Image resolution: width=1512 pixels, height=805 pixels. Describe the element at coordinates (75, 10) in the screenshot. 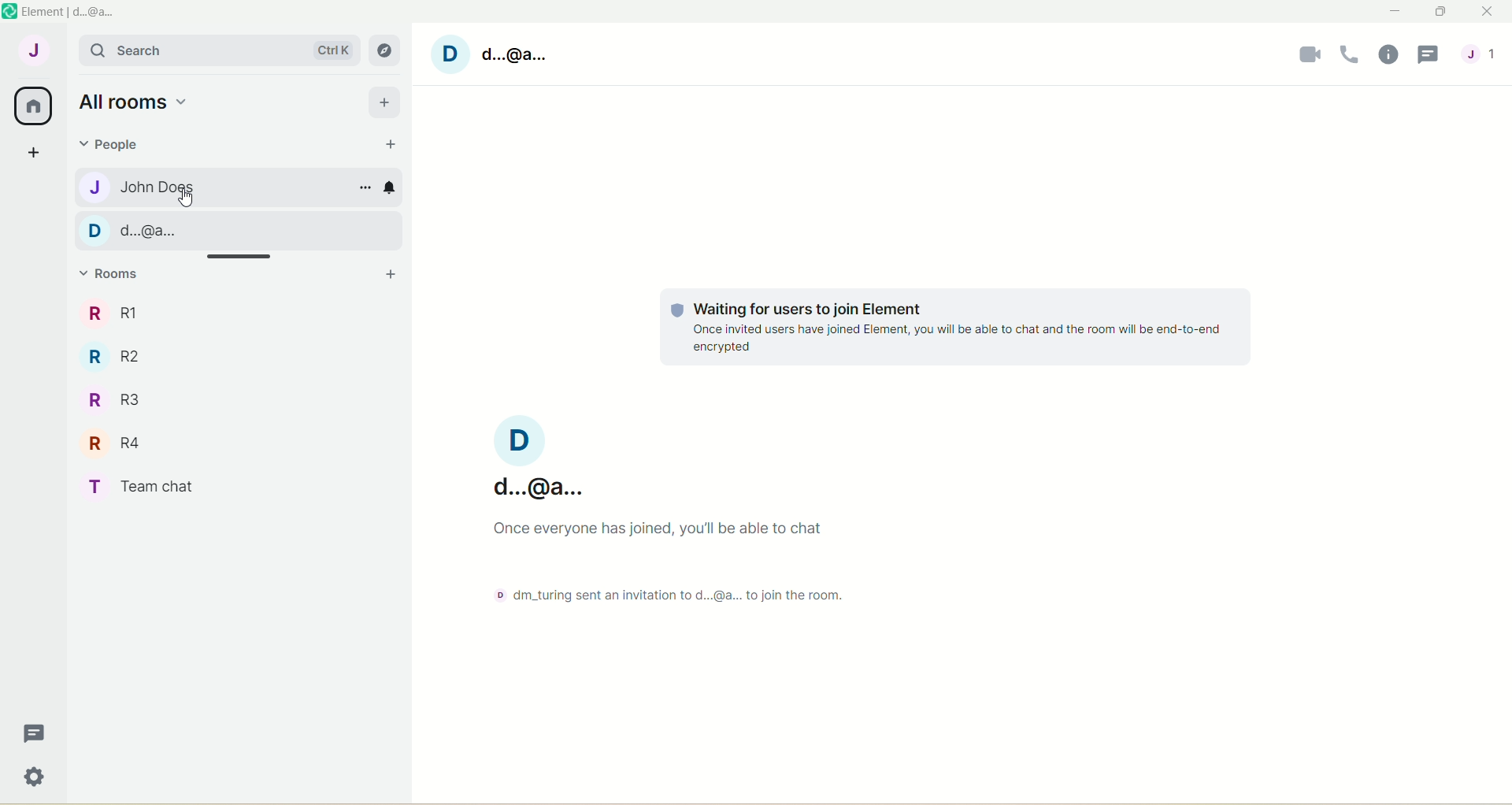

I see `element` at that location.